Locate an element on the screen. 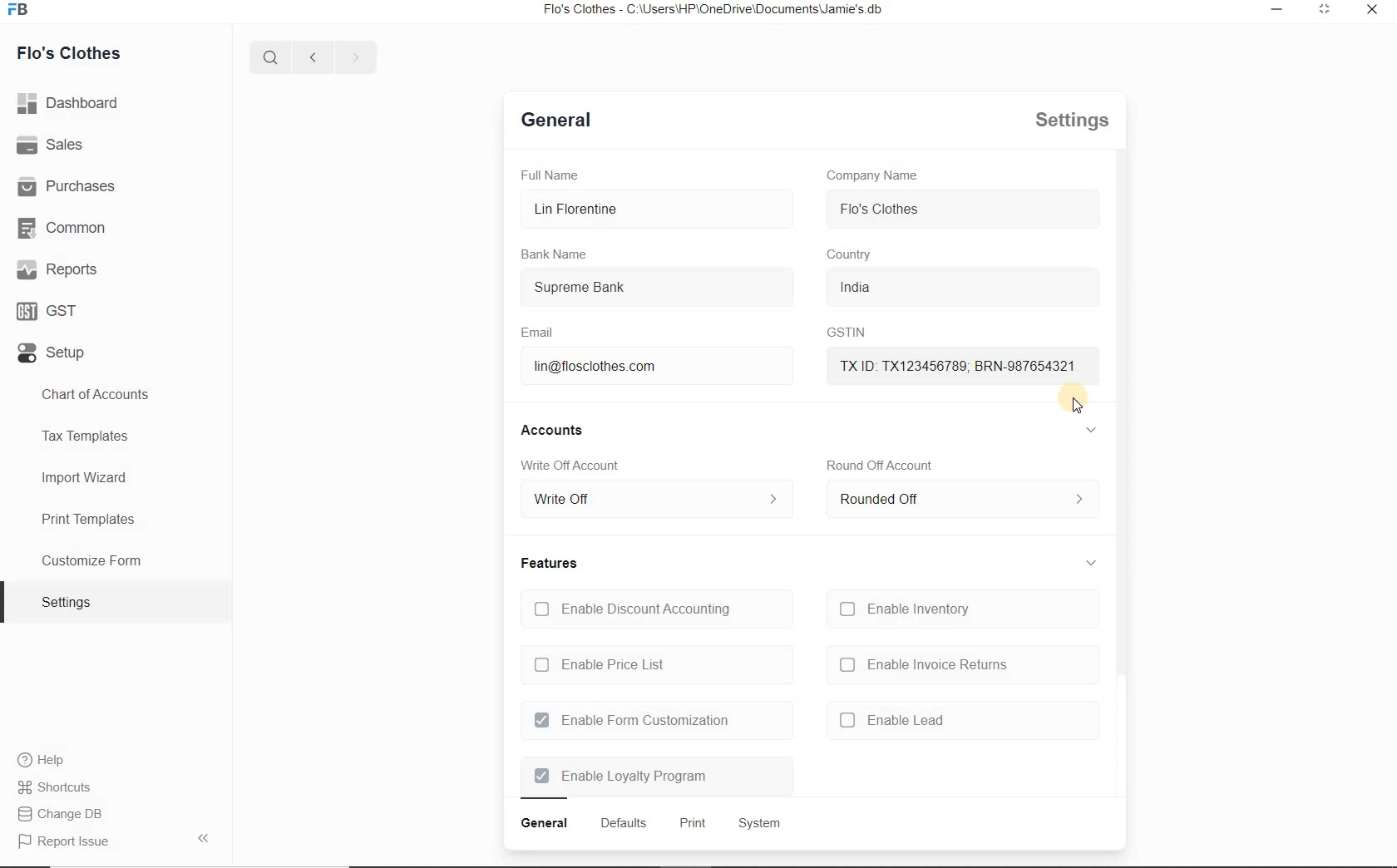  rounded off is located at coordinates (958, 503).